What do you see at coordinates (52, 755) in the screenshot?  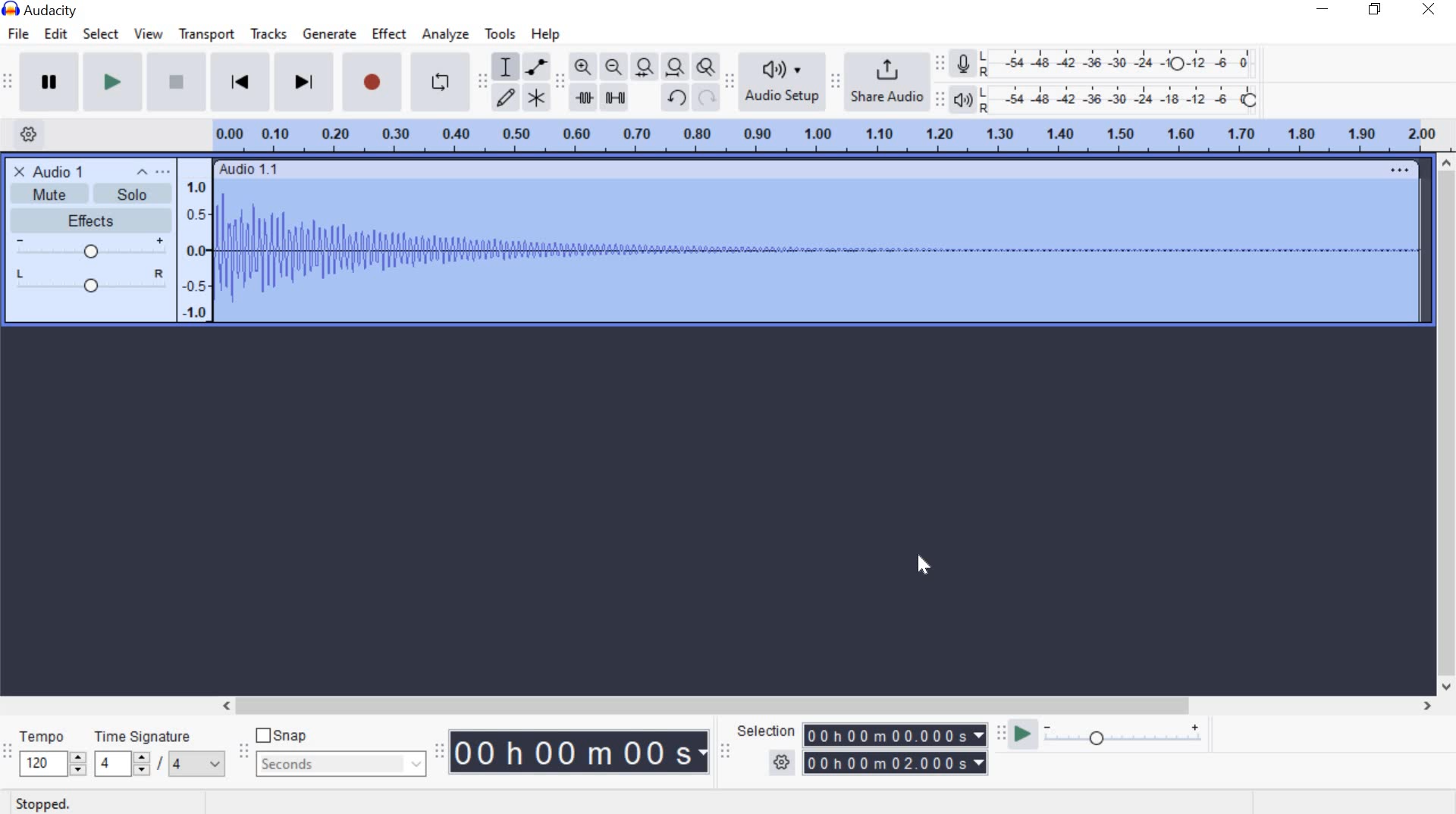 I see `tempo` at bounding box center [52, 755].